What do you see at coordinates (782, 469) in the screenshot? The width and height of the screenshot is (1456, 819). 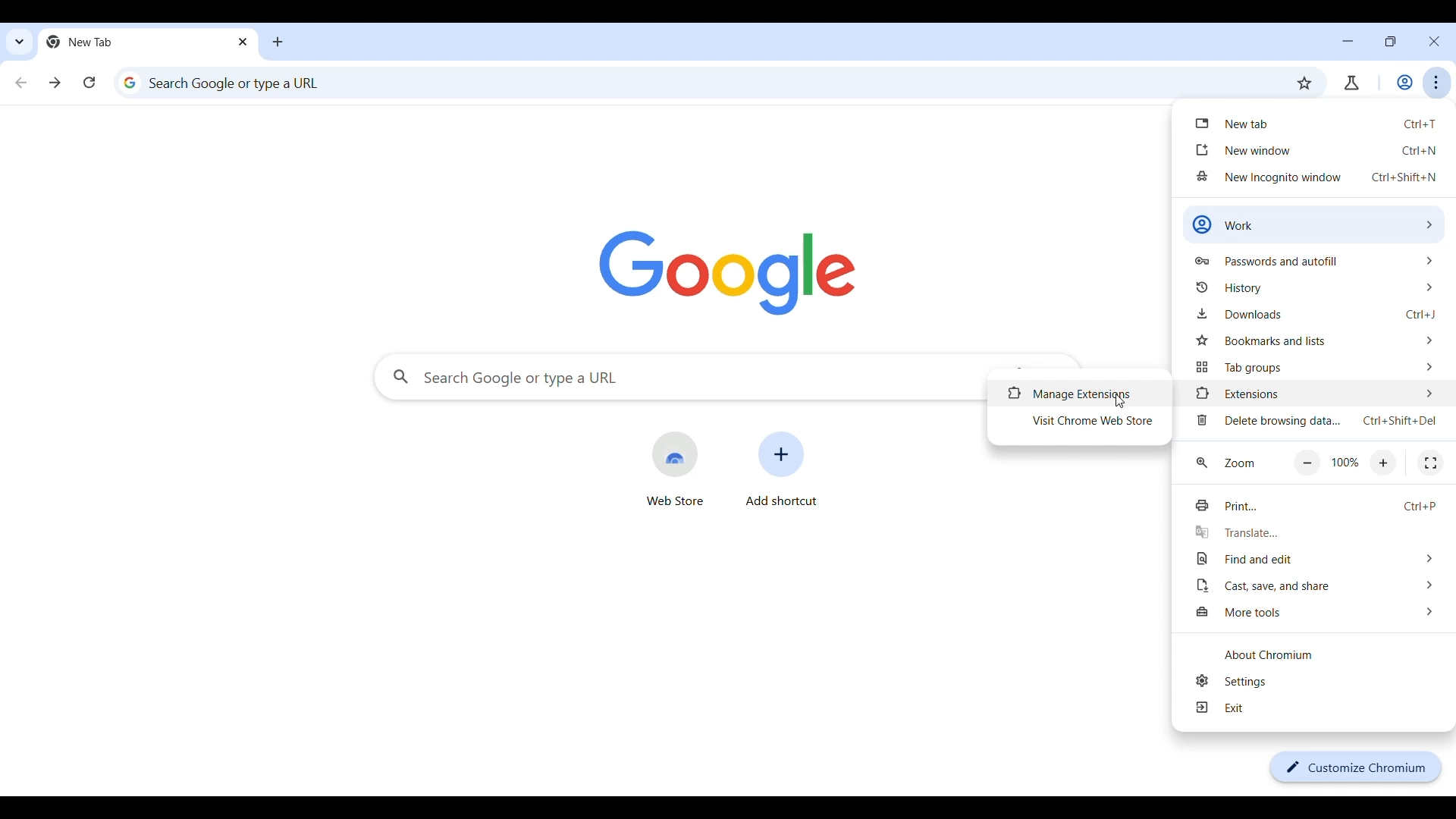 I see `Add shortcut to another site` at bounding box center [782, 469].